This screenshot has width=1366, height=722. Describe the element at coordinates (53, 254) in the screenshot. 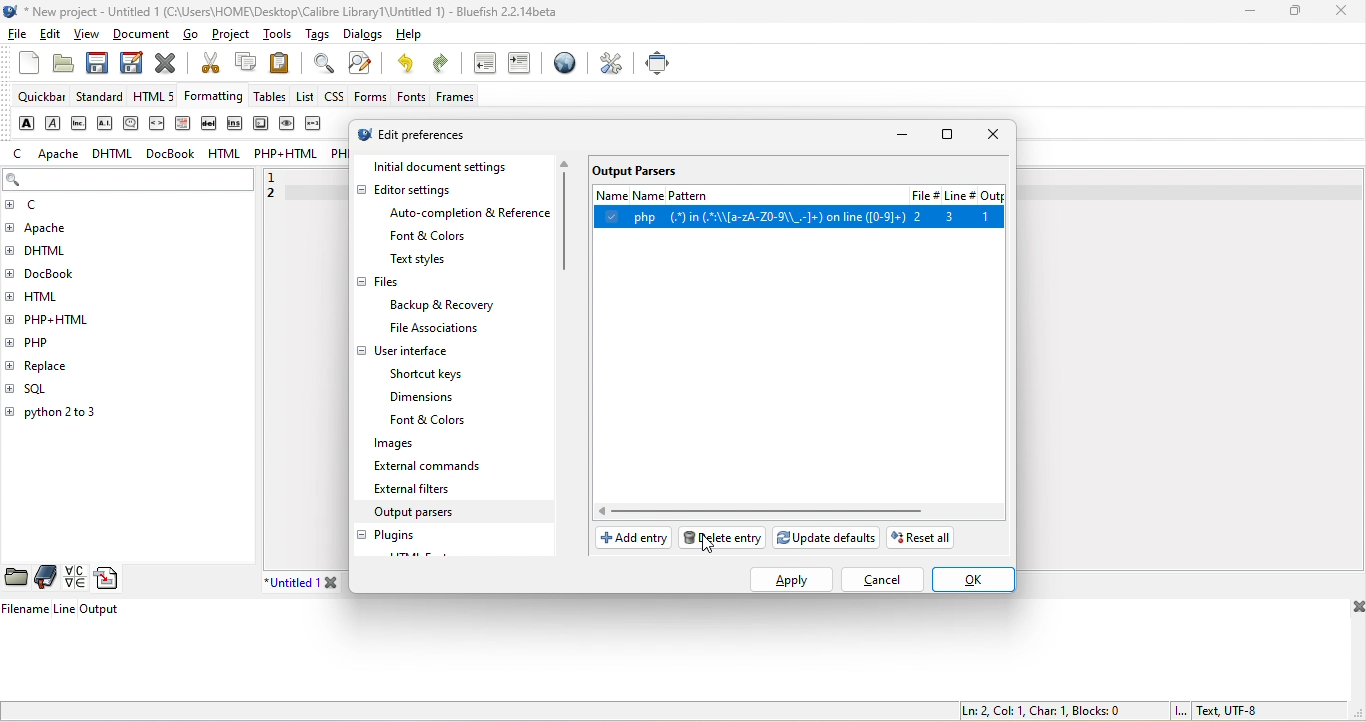

I see `dhtml` at that location.